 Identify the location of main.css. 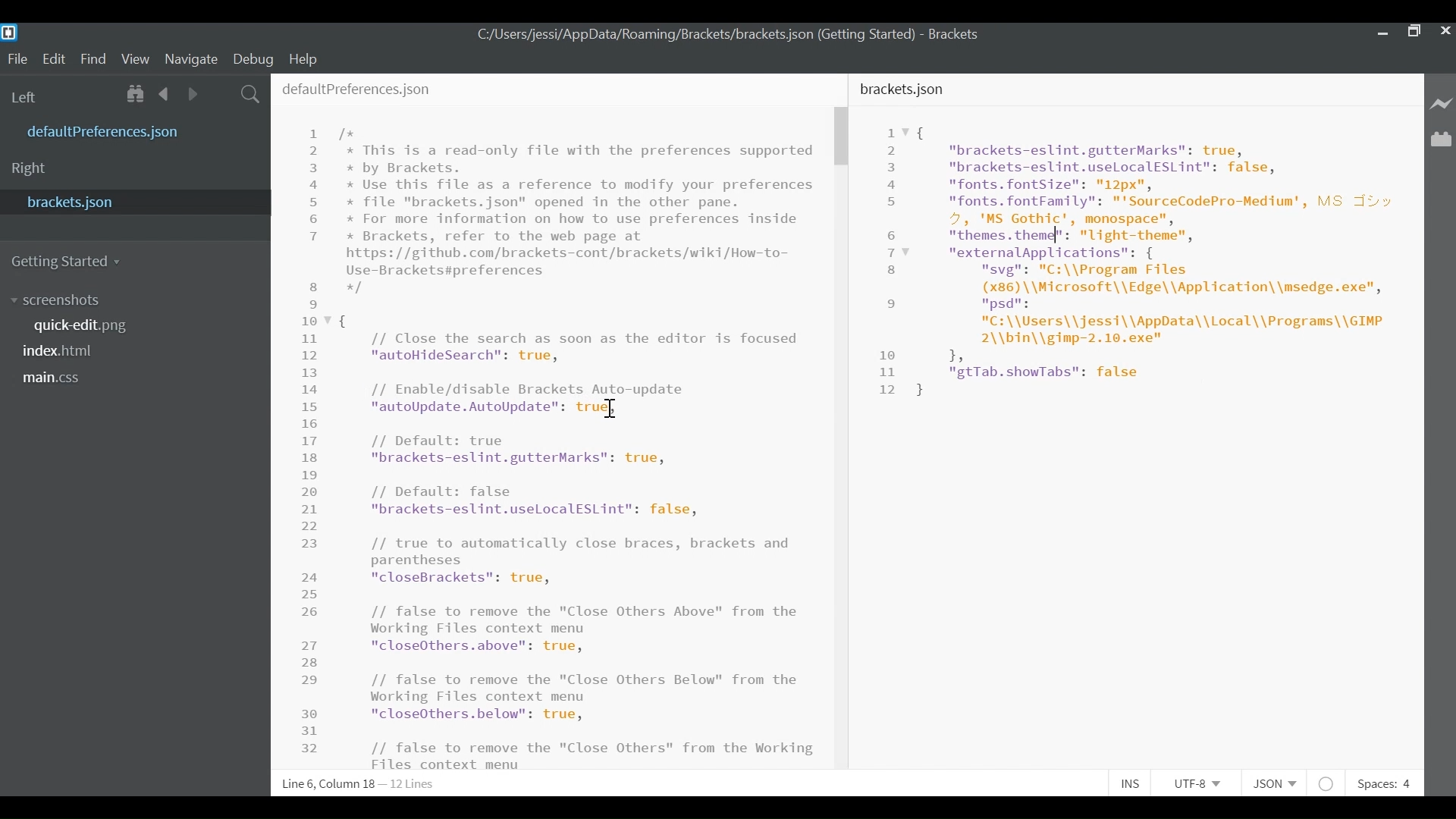
(53, 378).